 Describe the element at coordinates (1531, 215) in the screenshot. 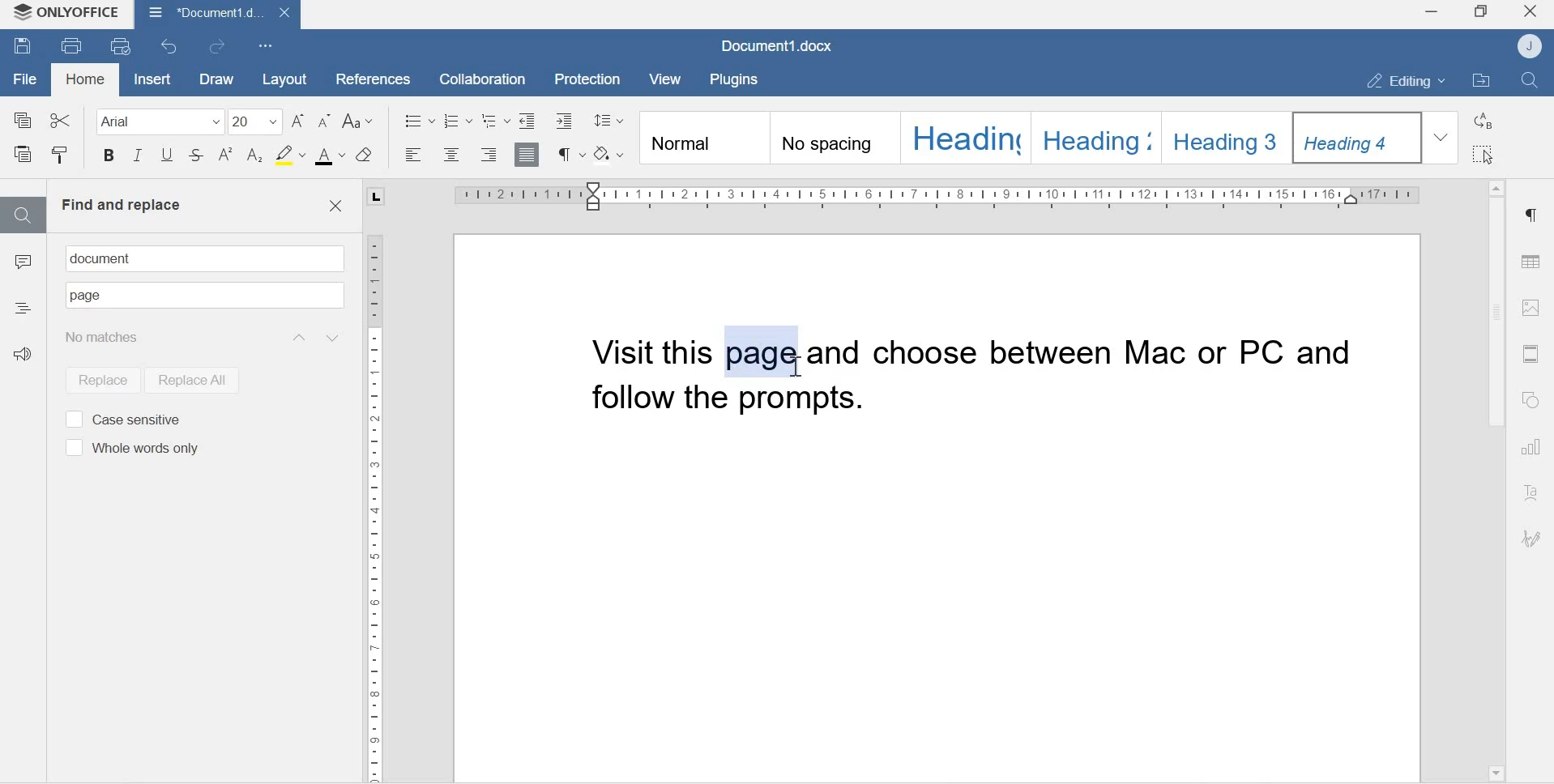

I see `Paragraph settings` at that location.